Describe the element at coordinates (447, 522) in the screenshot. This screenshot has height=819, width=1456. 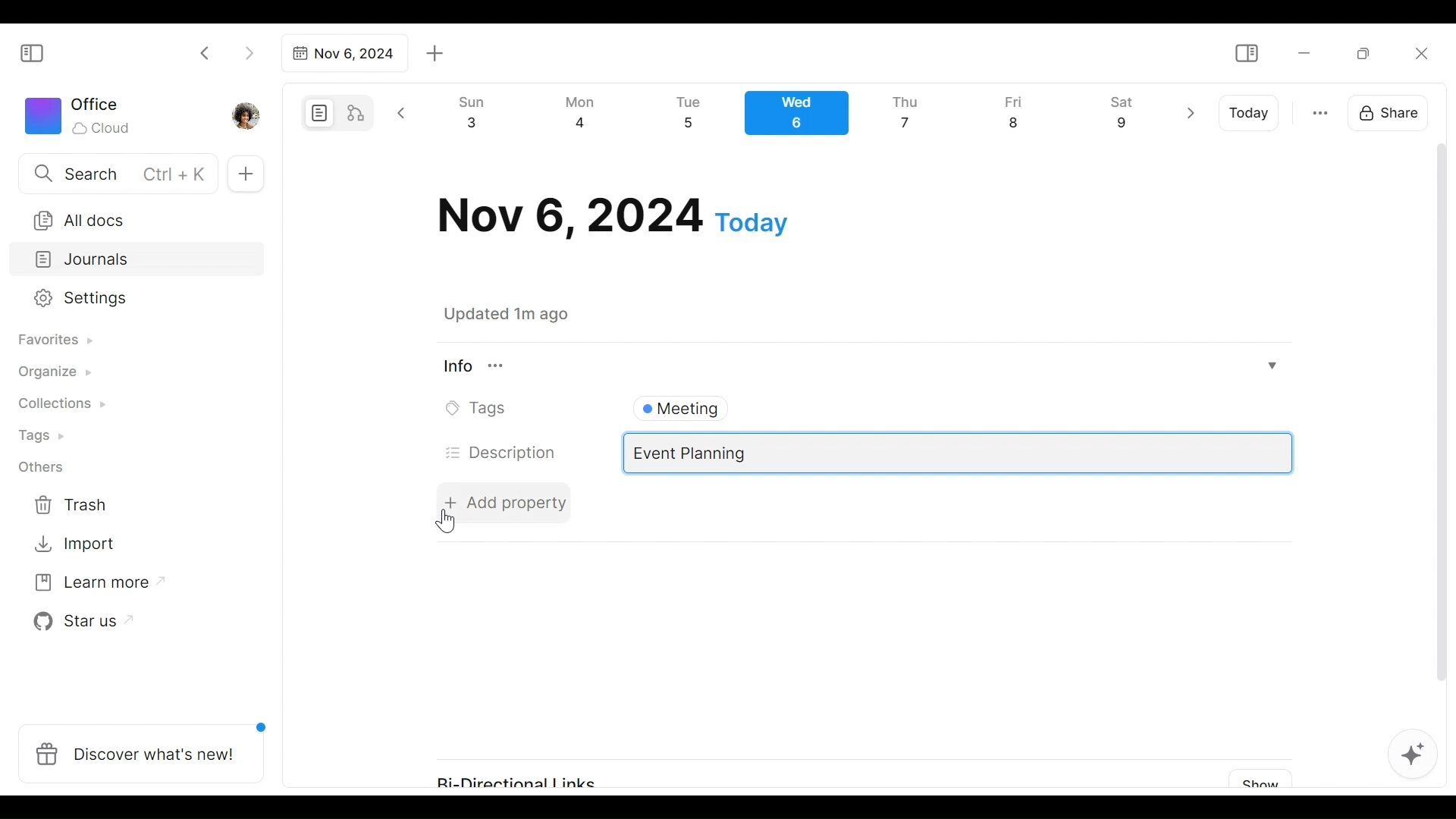
I see `cursor` at that location.